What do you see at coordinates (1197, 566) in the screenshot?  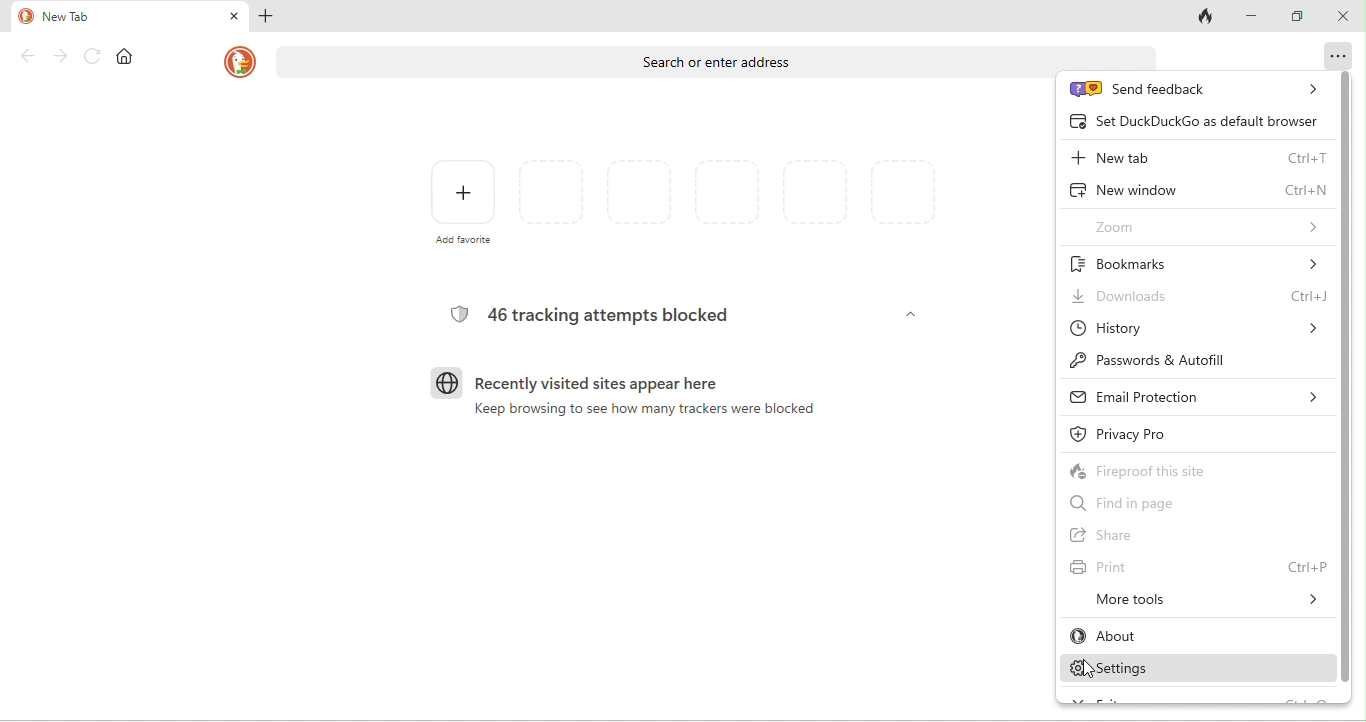 I see `print` at bounding box center [1197, 566].